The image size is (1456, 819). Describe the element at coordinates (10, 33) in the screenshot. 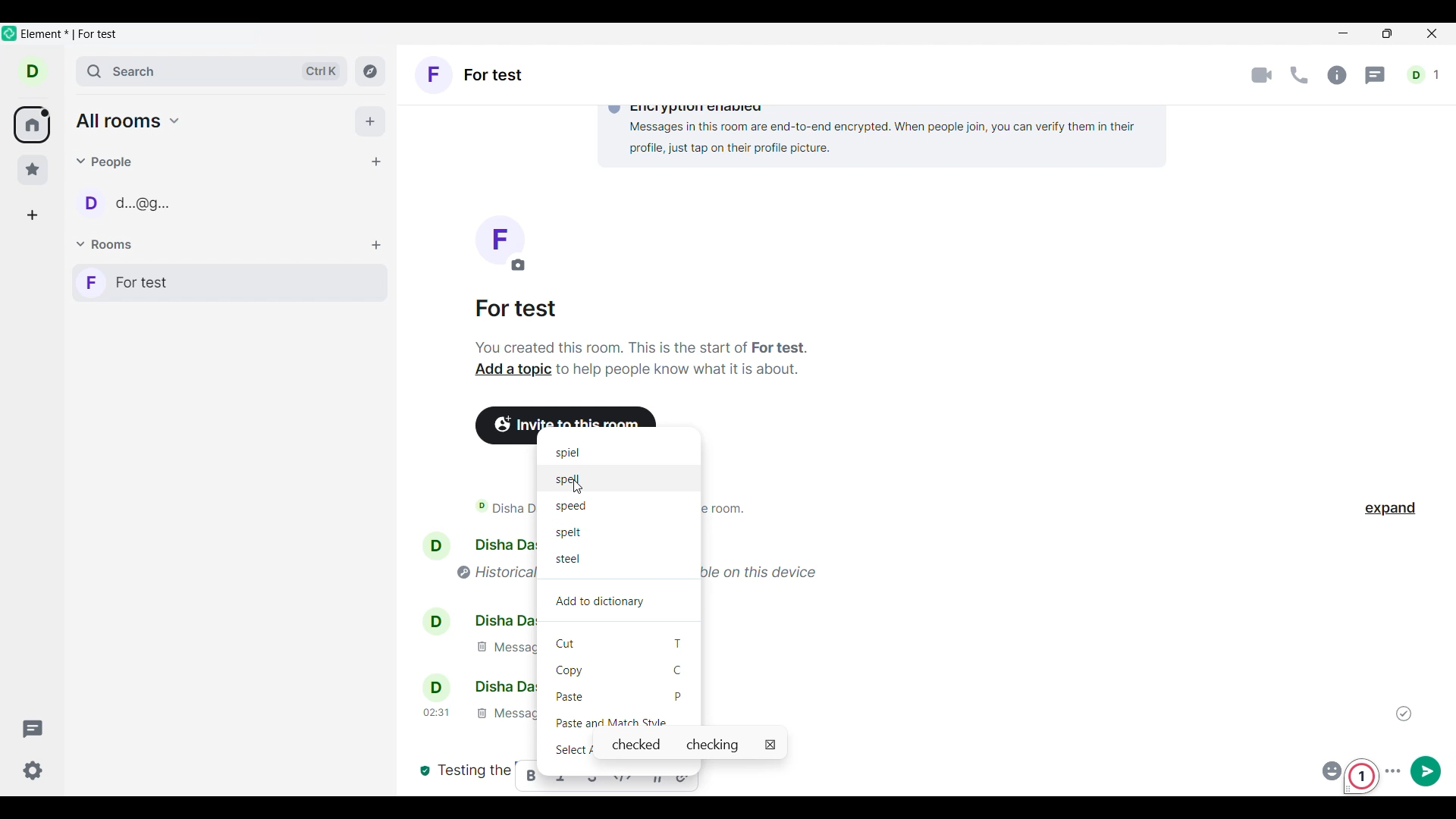

I see `Software logo` at that location.